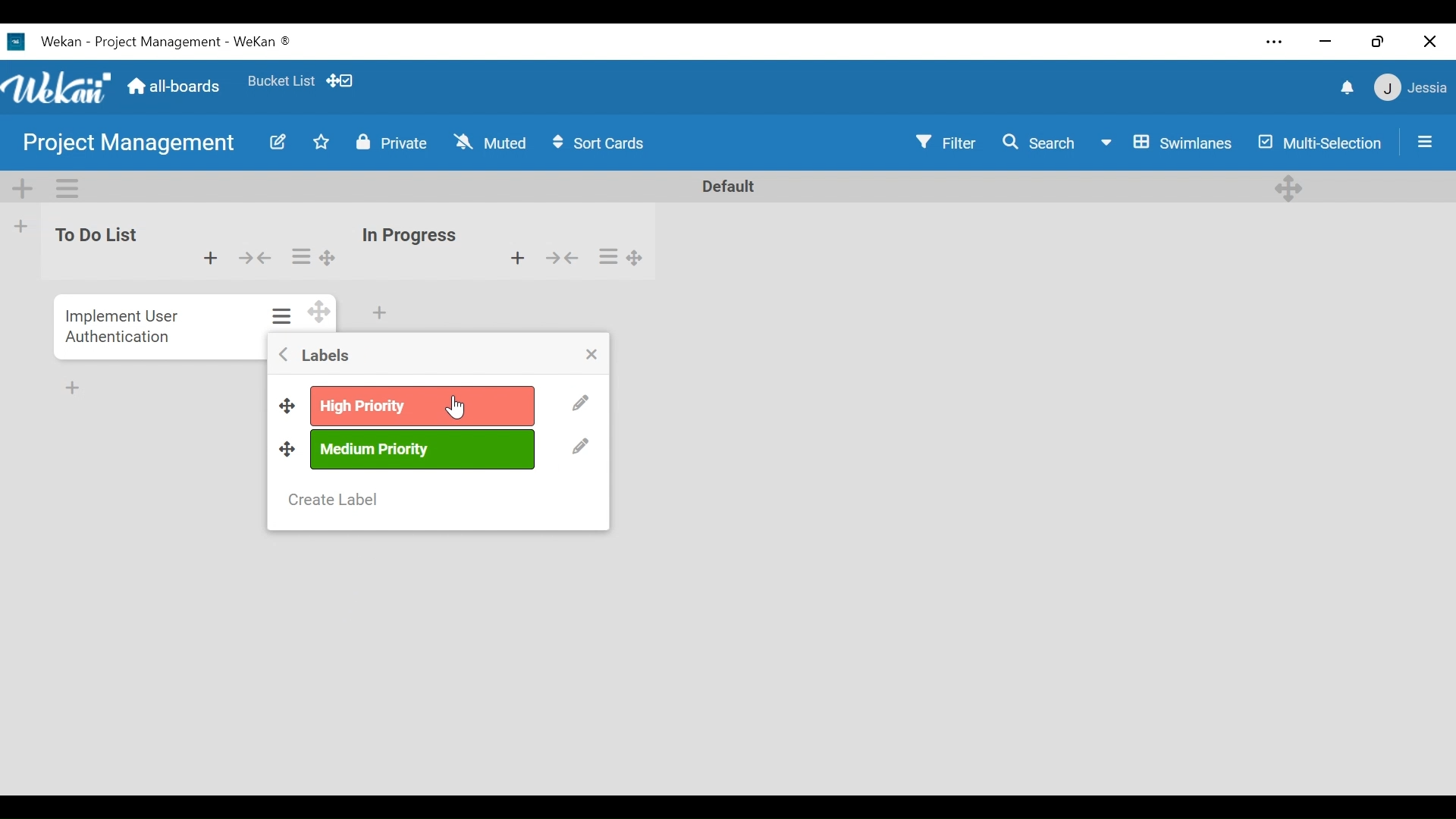 The width and height of the screenshot is (1456, 819). What do you see at coordinates (129, 146) in the screenshot?
I see `Project Management` at bounding box center [129, 146].